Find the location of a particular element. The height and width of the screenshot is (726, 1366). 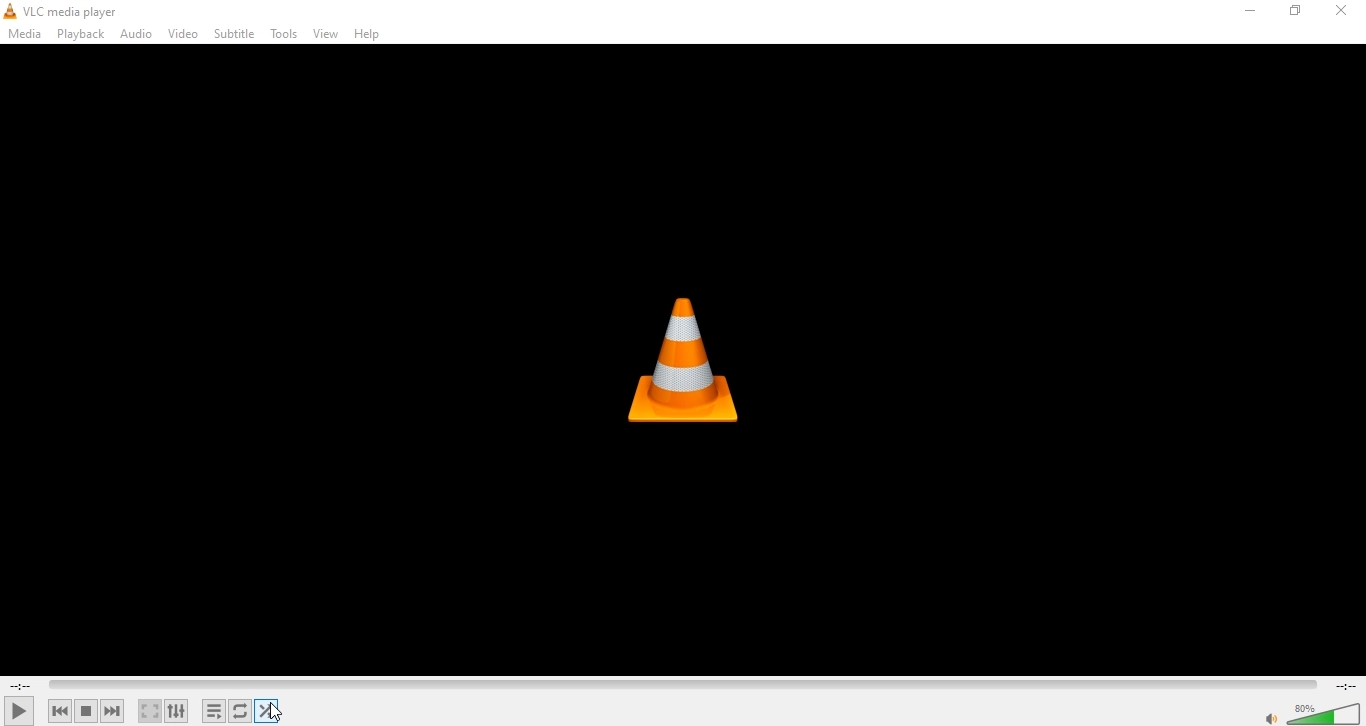

cursor is located at coordinates (284, 710).